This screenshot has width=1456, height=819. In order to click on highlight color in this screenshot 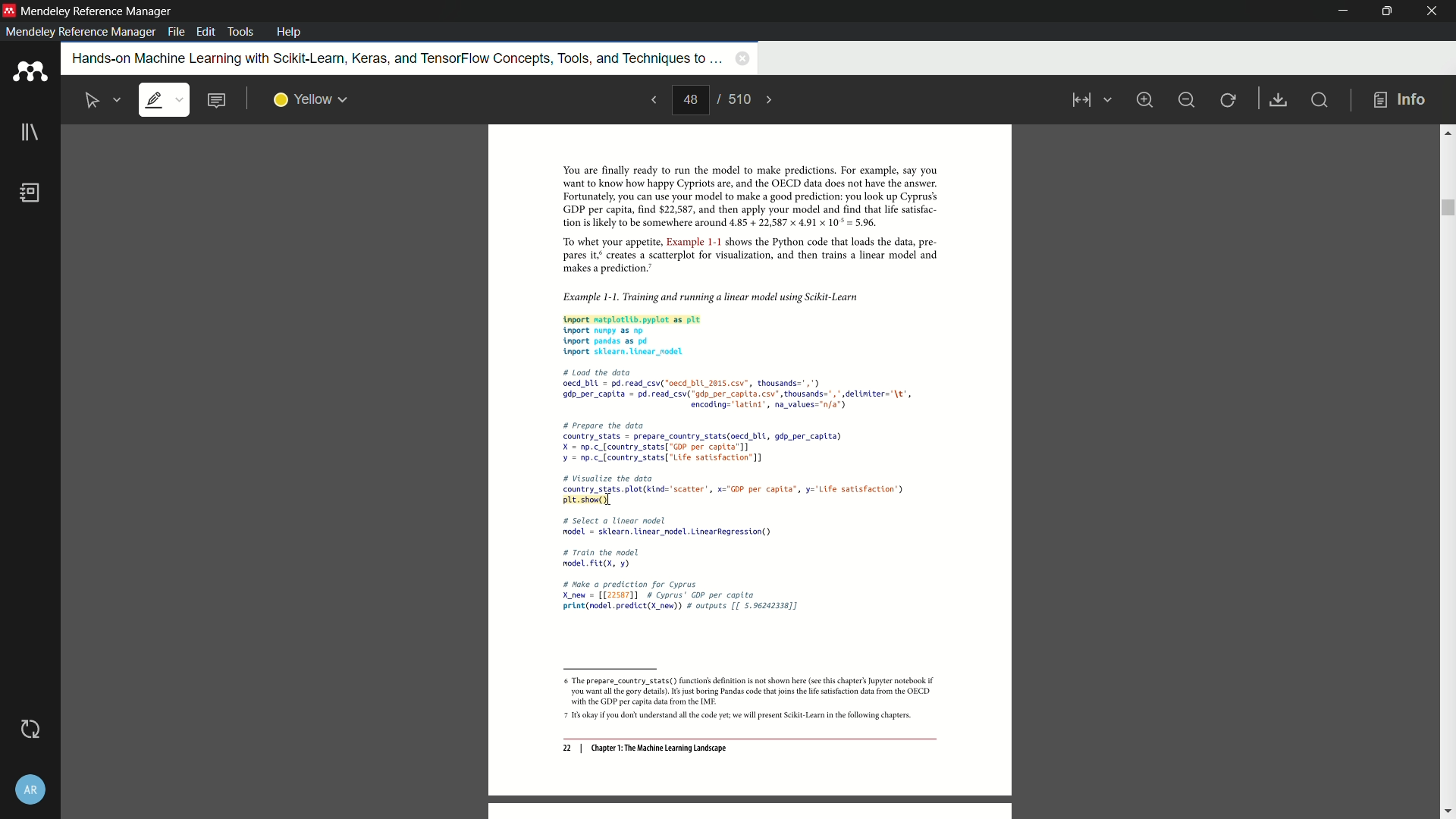, I will do `click(311, 100)`.